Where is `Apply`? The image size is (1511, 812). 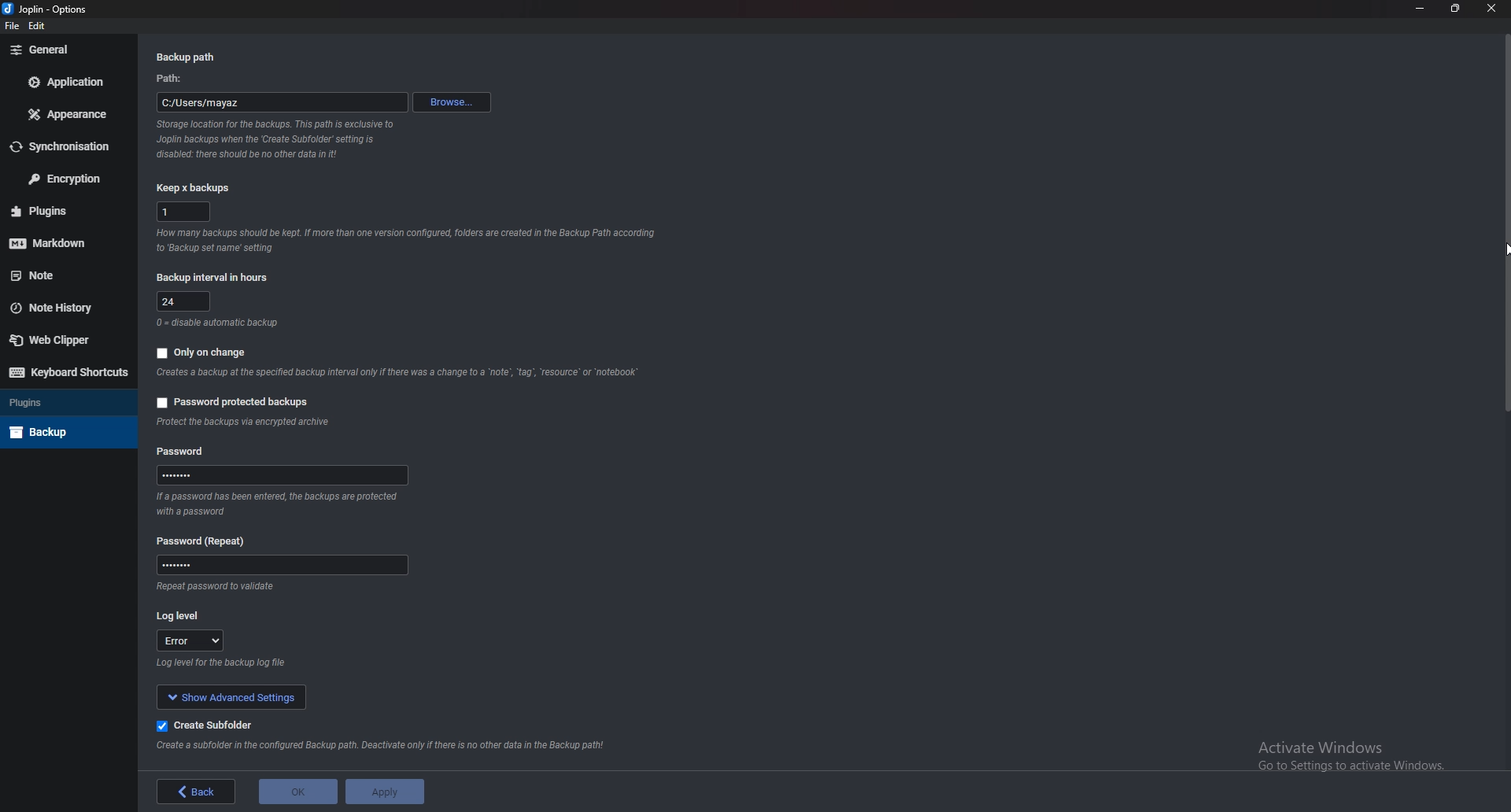 Apply is located at coordinates (385, 792).